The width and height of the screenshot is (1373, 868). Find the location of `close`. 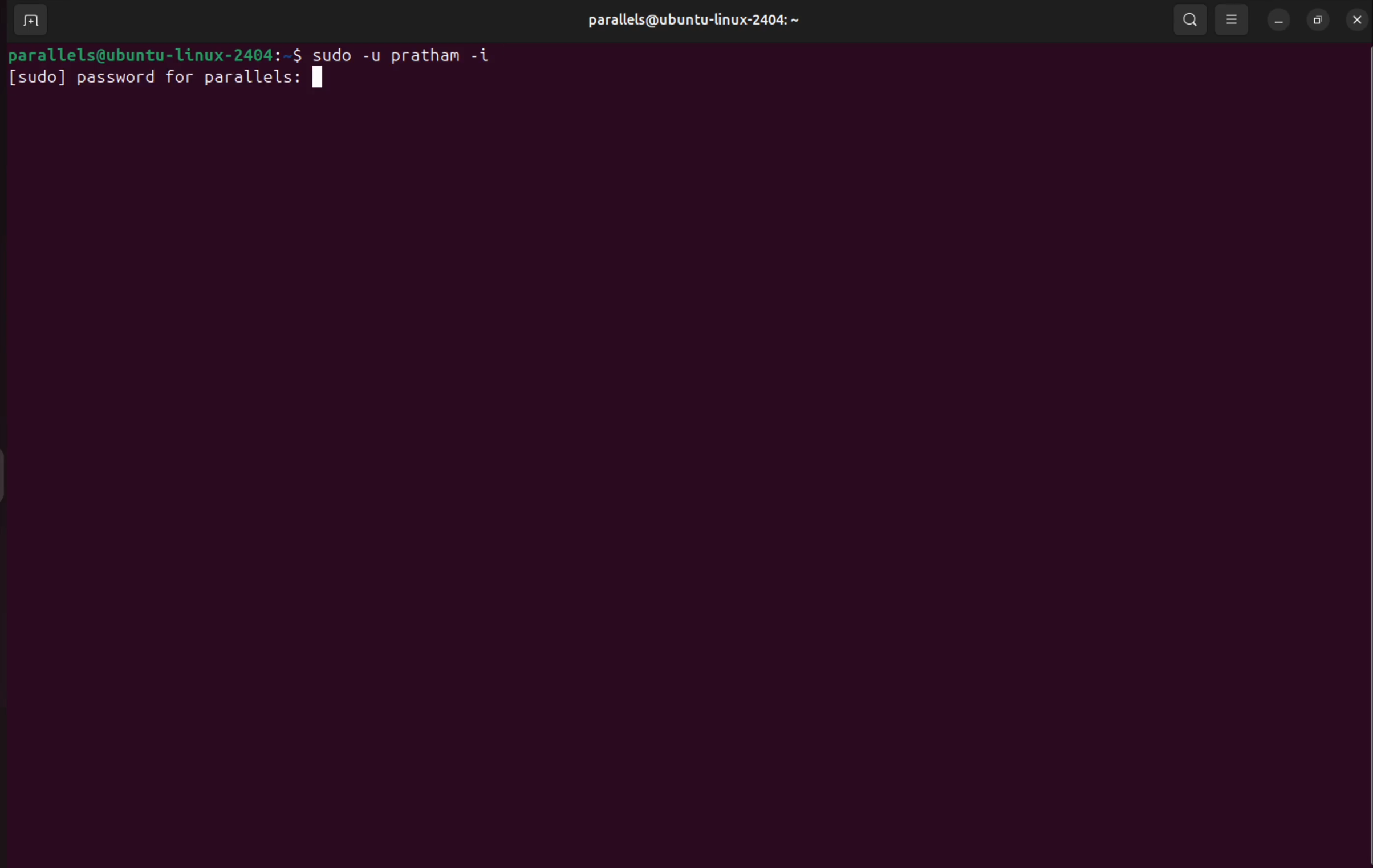

close is located at coordinates (1354, 19).